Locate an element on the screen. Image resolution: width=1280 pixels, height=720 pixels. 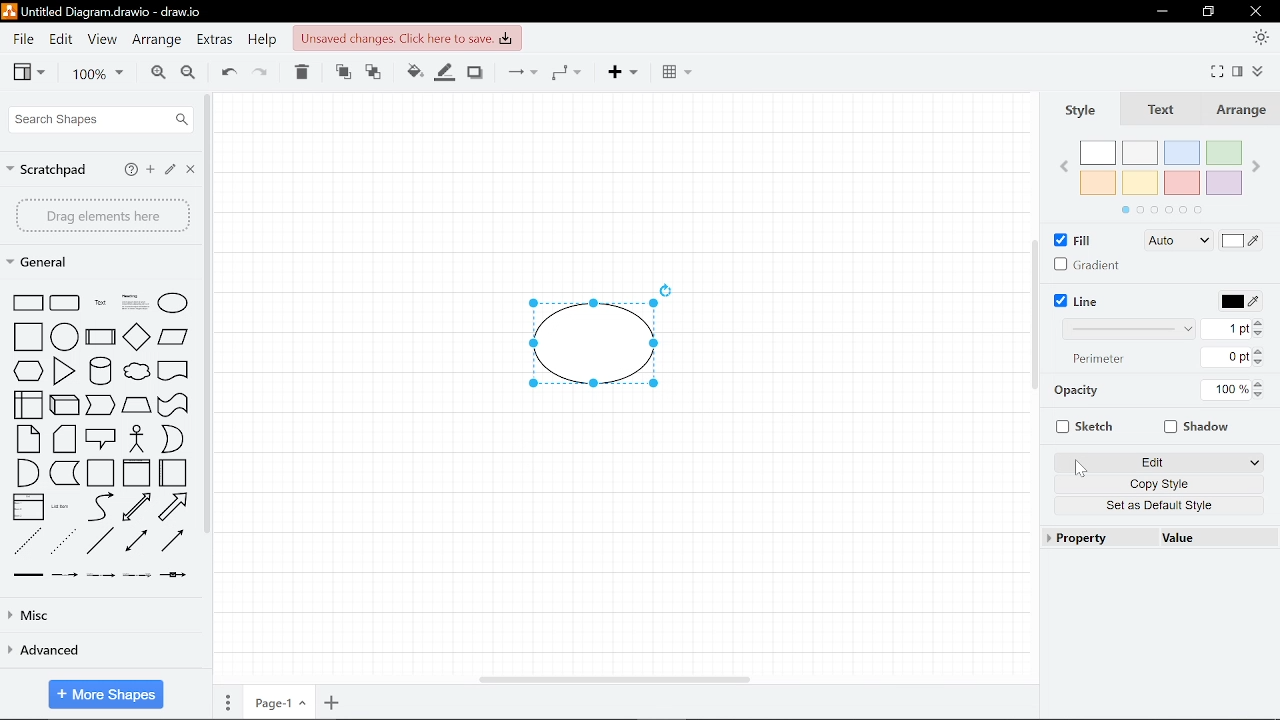
container is located at coordinates (100, 473).